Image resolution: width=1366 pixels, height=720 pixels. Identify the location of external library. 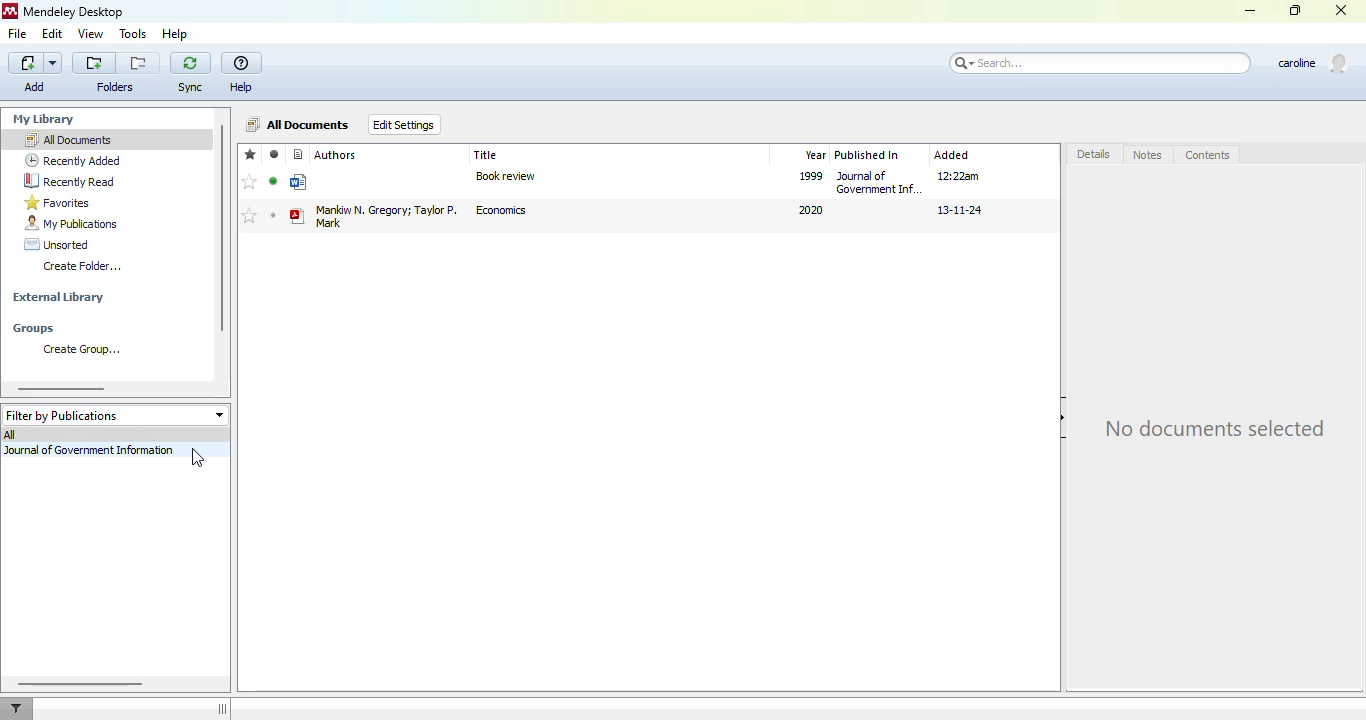
(59, 297).